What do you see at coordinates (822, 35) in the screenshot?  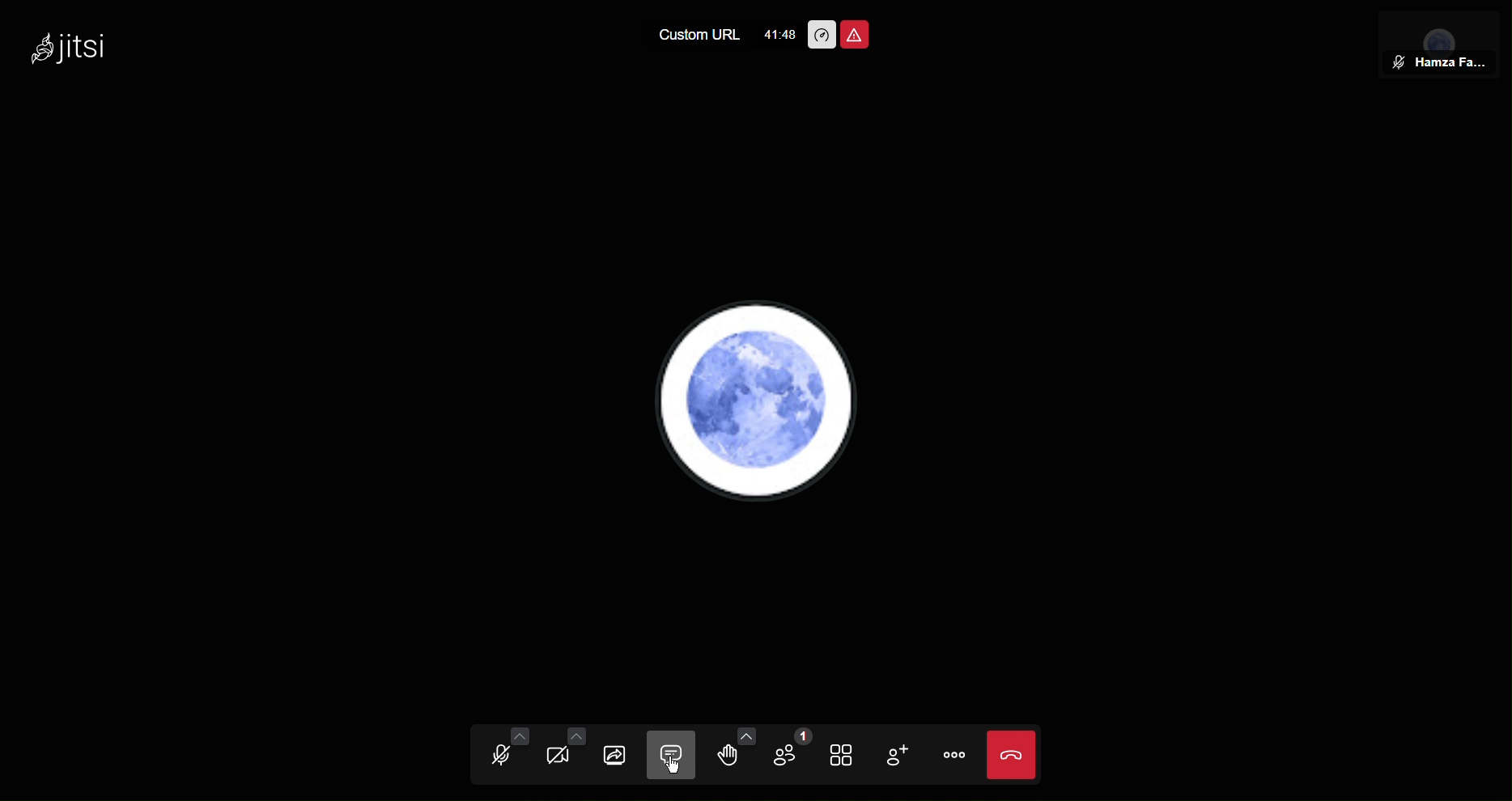 I see `Performance Settings` at bounding box center [822, 35].